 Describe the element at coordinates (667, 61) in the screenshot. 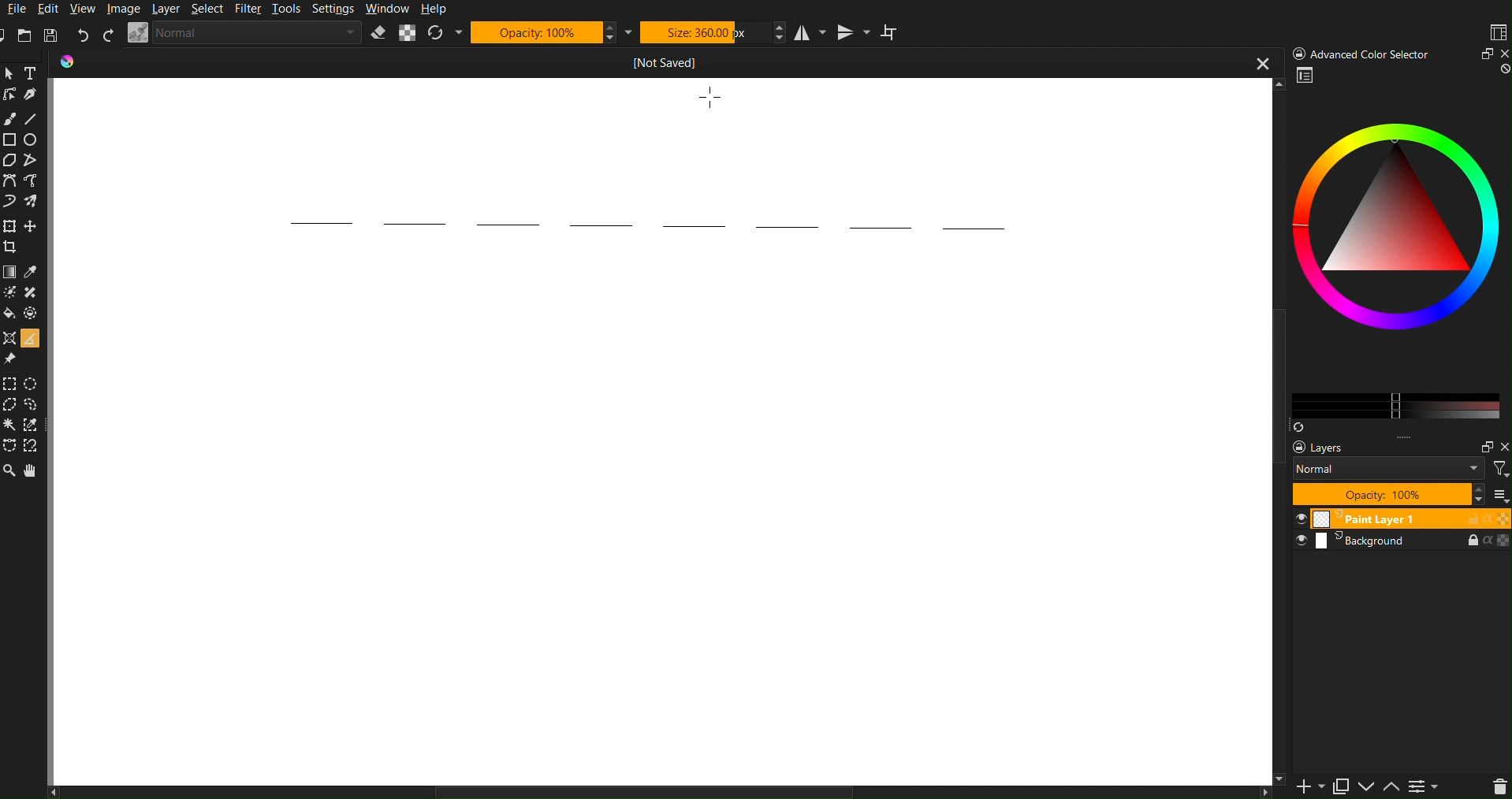

I see `Current Document` at that location.